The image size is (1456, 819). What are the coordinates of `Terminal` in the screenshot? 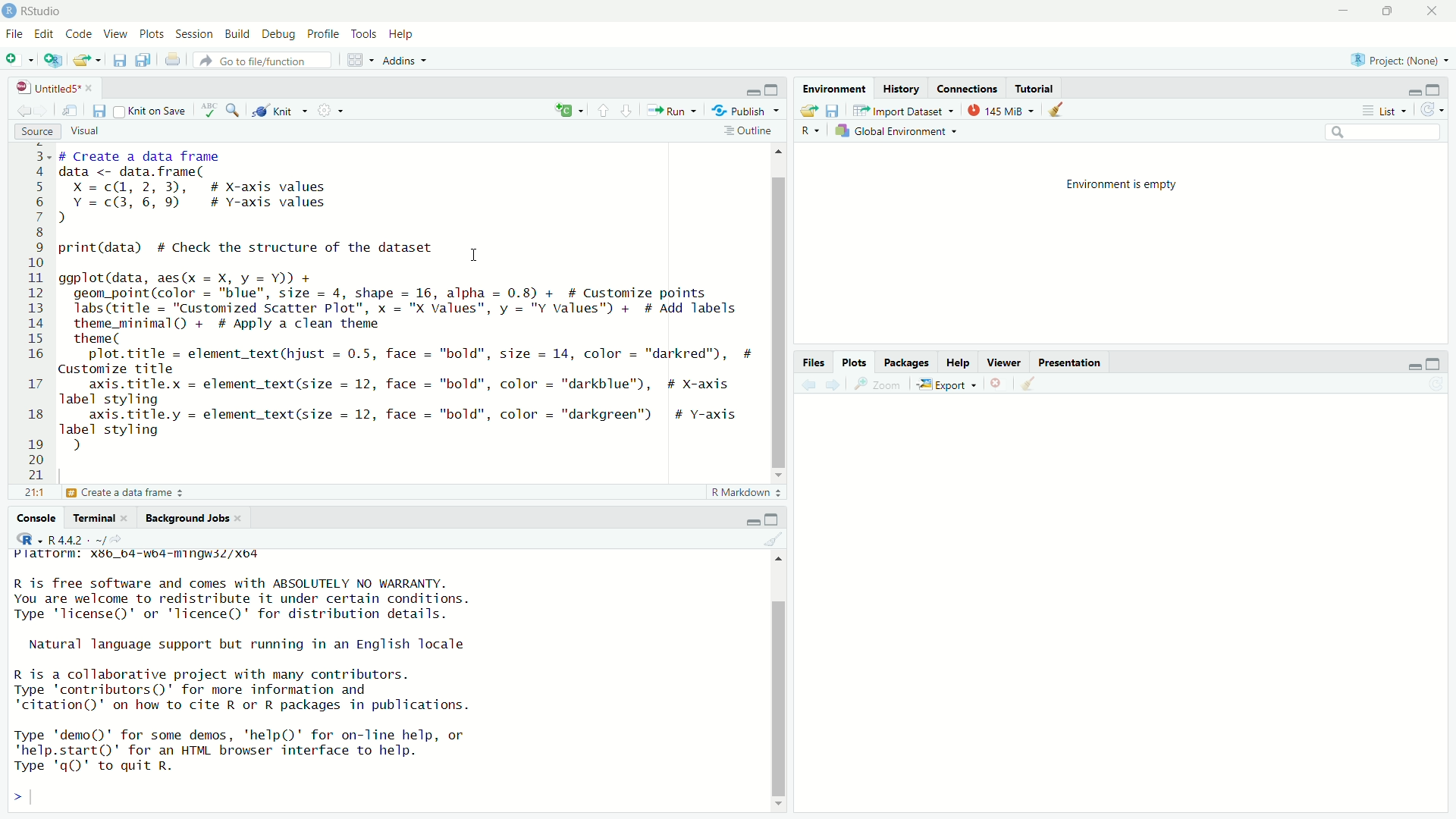 It's located at (100, 518).